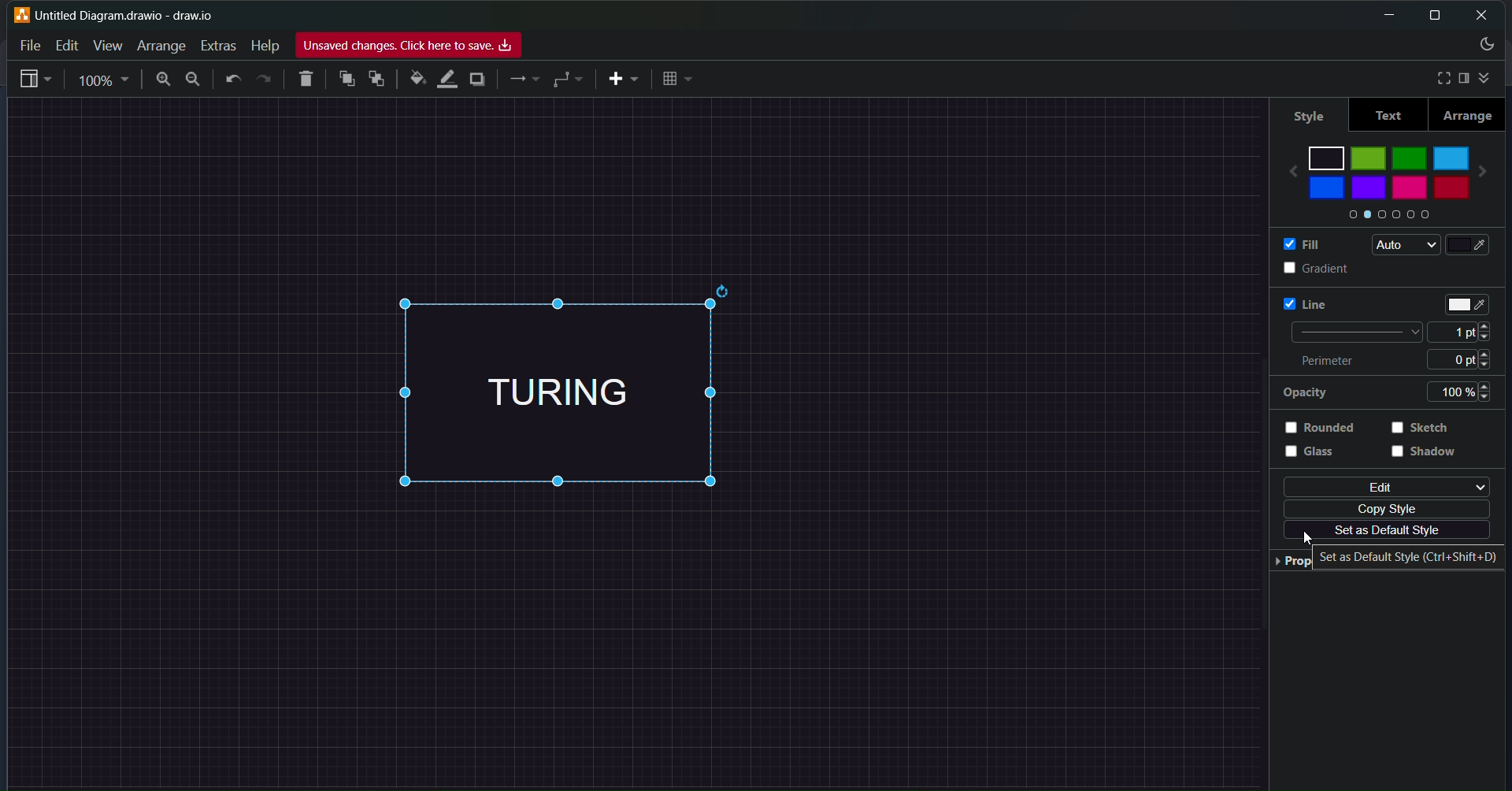  I want to click on line, so click(1296, 302).